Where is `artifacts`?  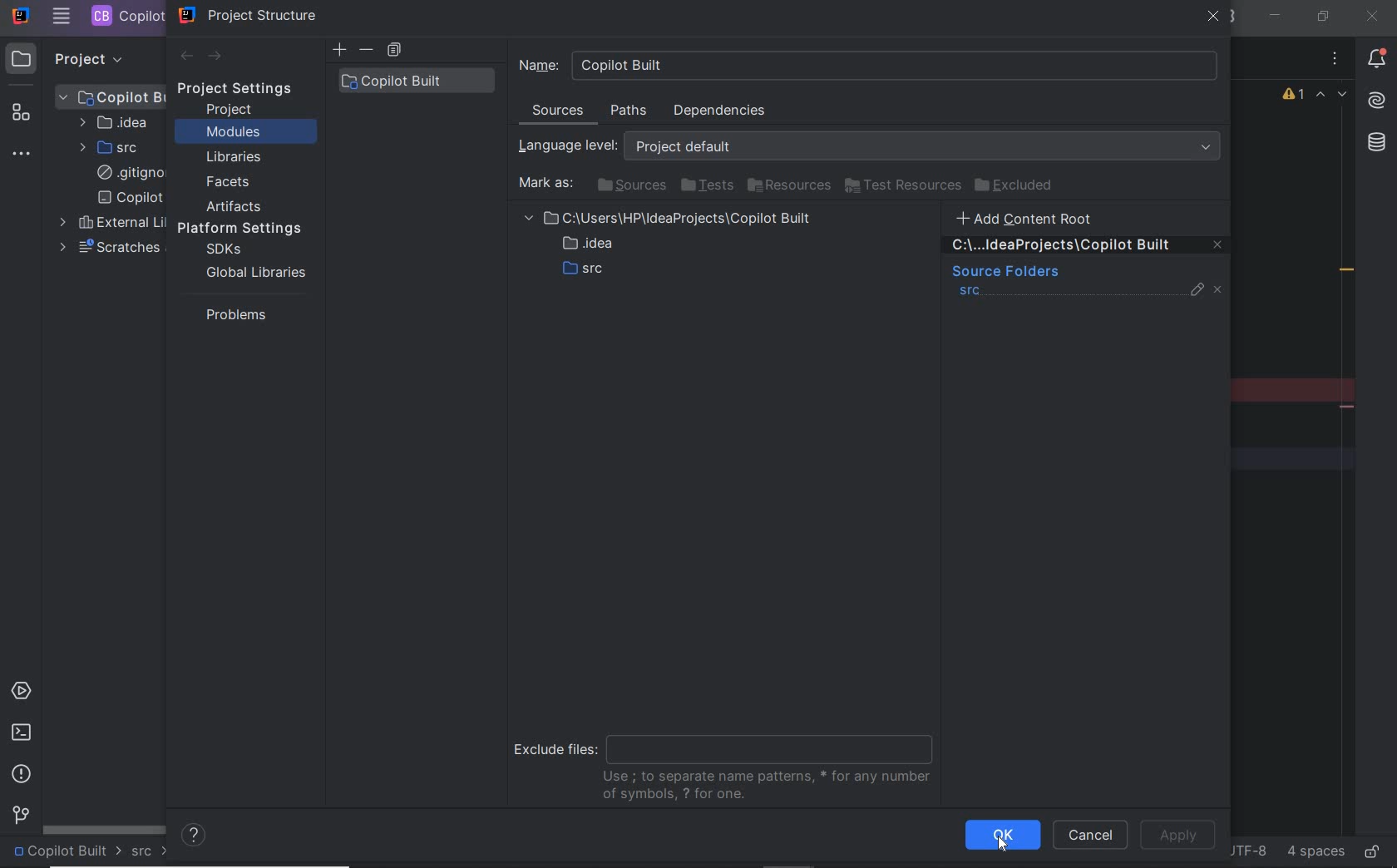
artifacts is located at coordinates (238, 206).